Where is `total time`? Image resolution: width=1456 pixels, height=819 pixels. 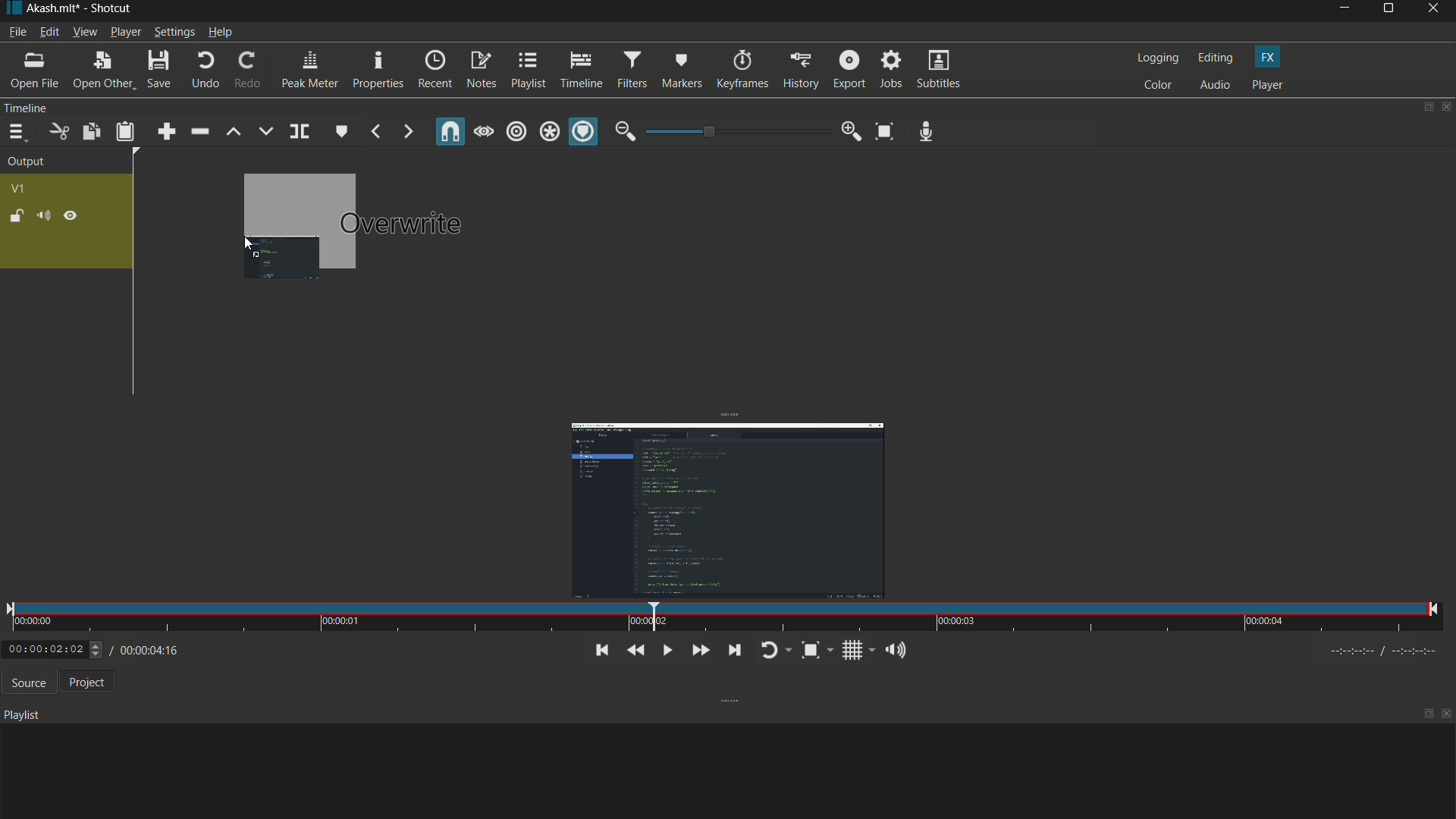
total time is located at coordinates (168, 692).